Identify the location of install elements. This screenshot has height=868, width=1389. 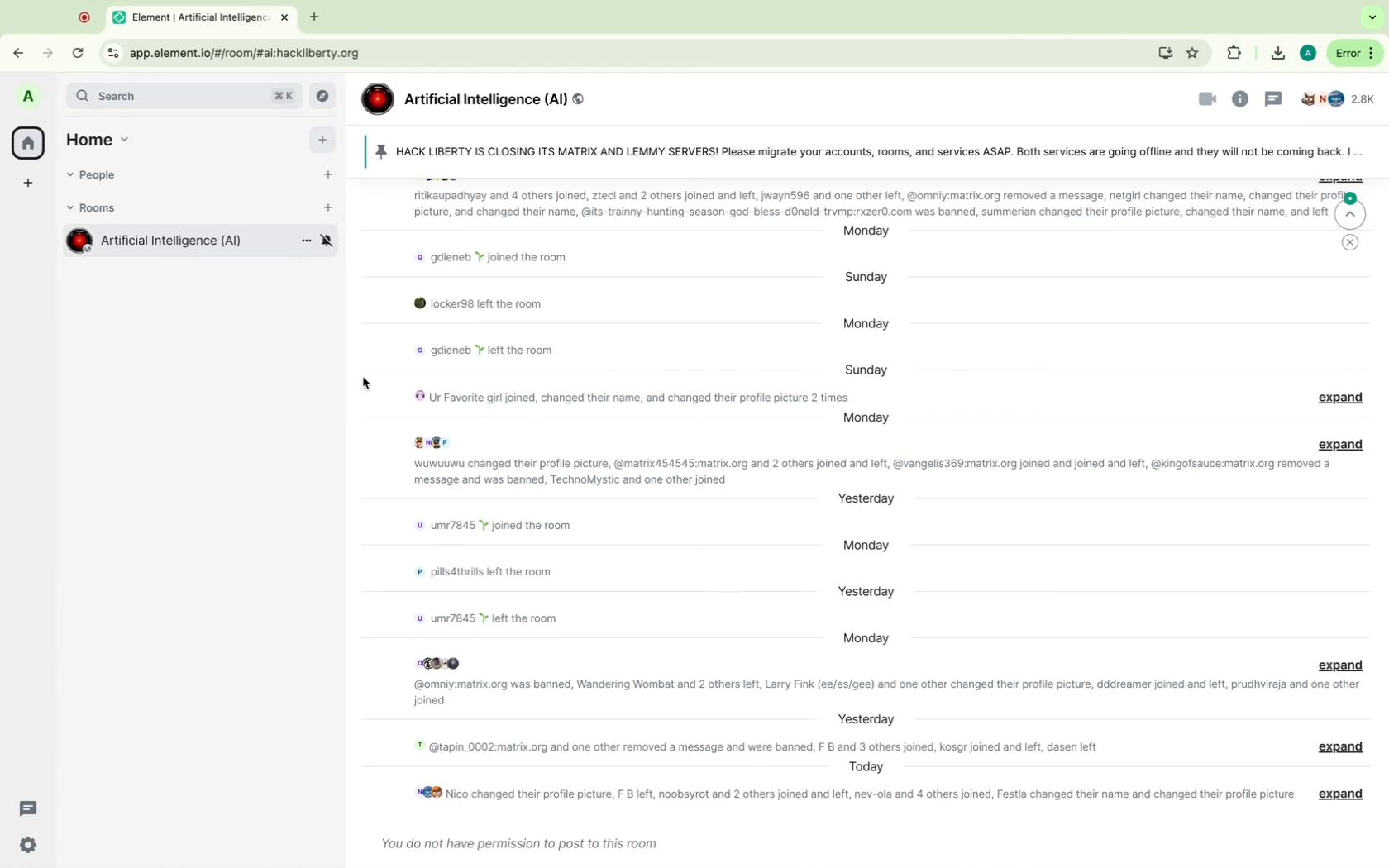
(1162, 52).